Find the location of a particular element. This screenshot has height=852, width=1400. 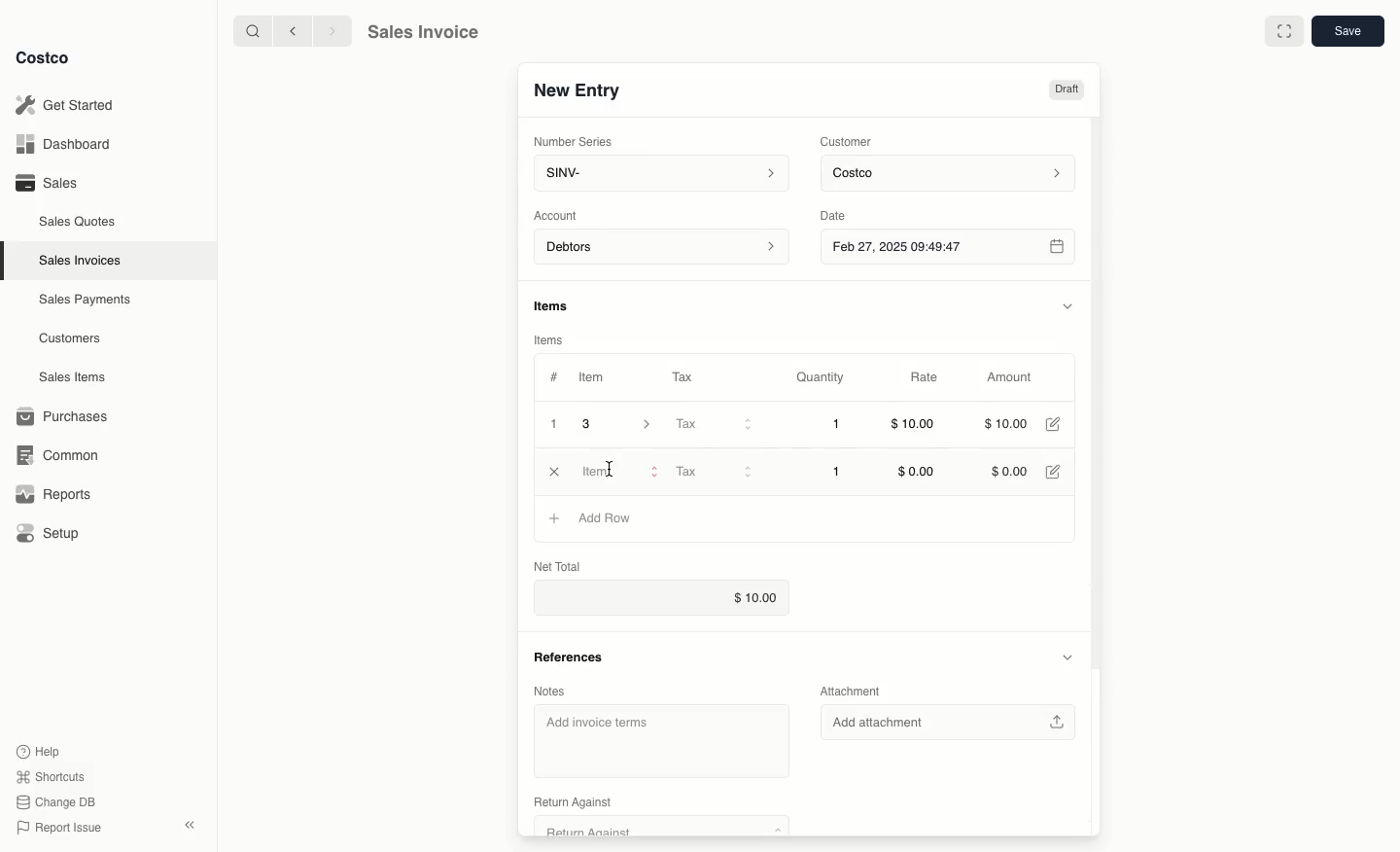

Tax is located at coordinates (713, 425).